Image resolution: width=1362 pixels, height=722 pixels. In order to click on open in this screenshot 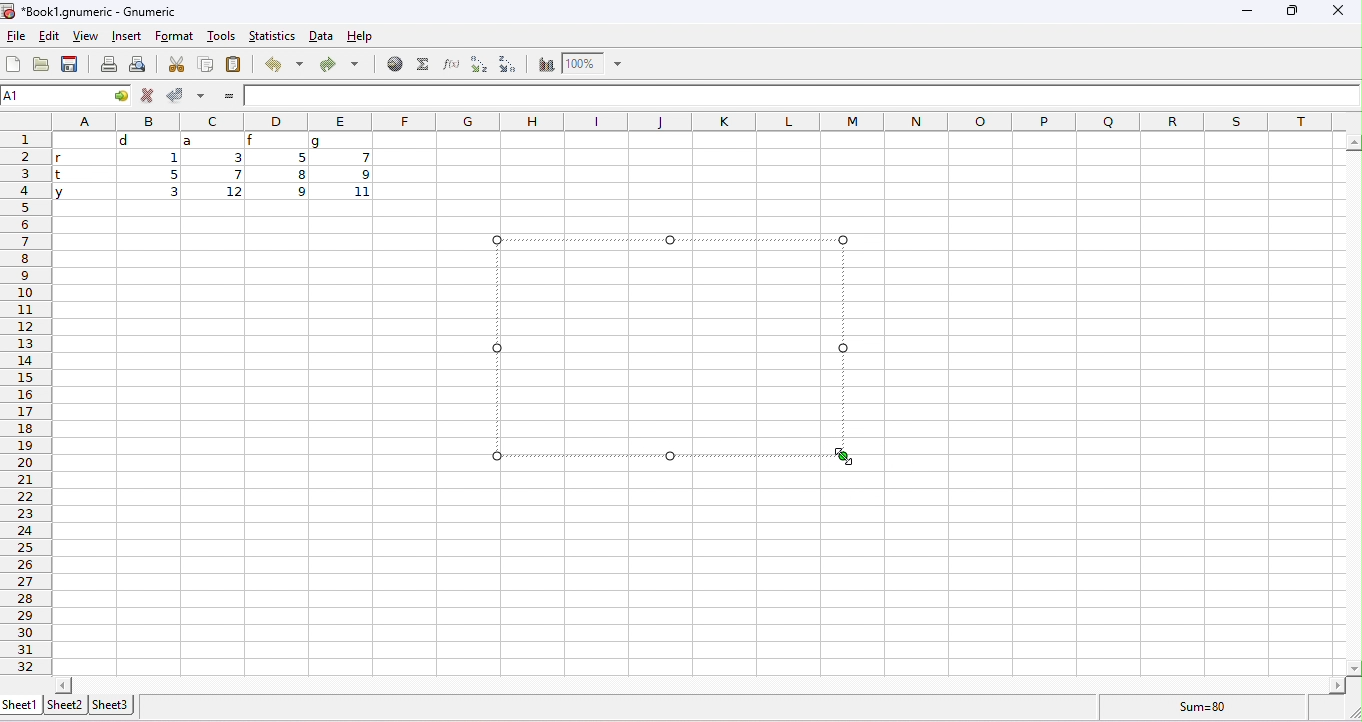, I will do `click(43, 65)`.